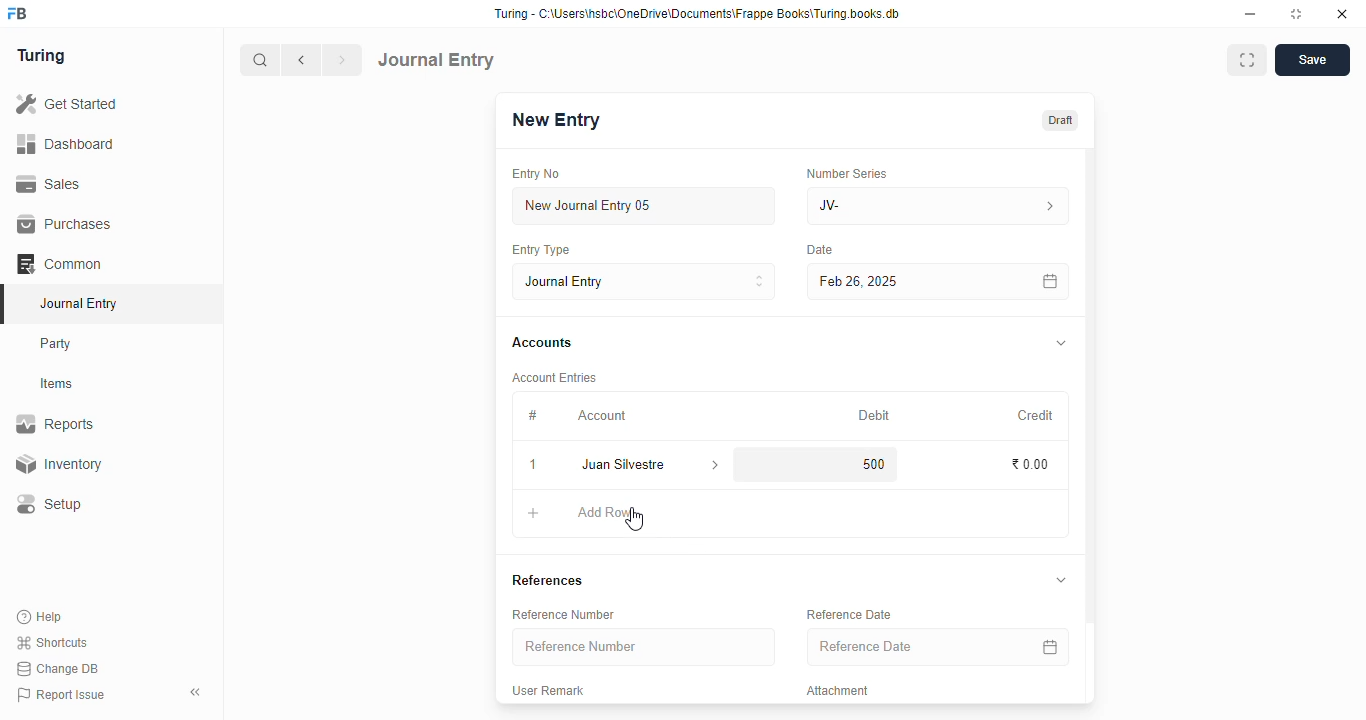 The image size is (1366, 720). What do you see at coordinates (547, 580) in the screenshot?
I see `references` at bounding box center [547, 580].